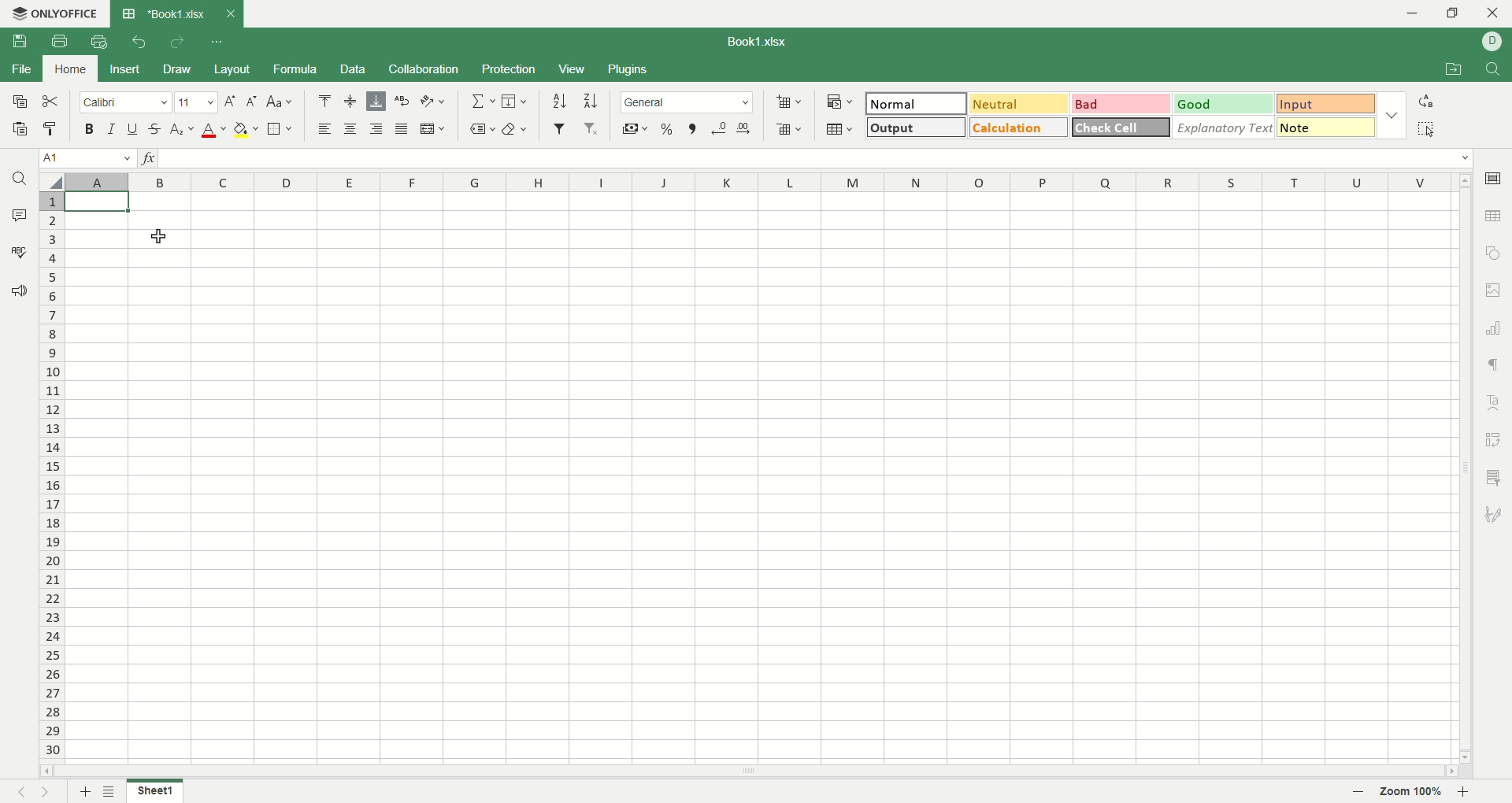 This screenshot has width=1512, height=803. Describe the element at coordinates (18, 178) in the screenshot. I see `find` at that location.